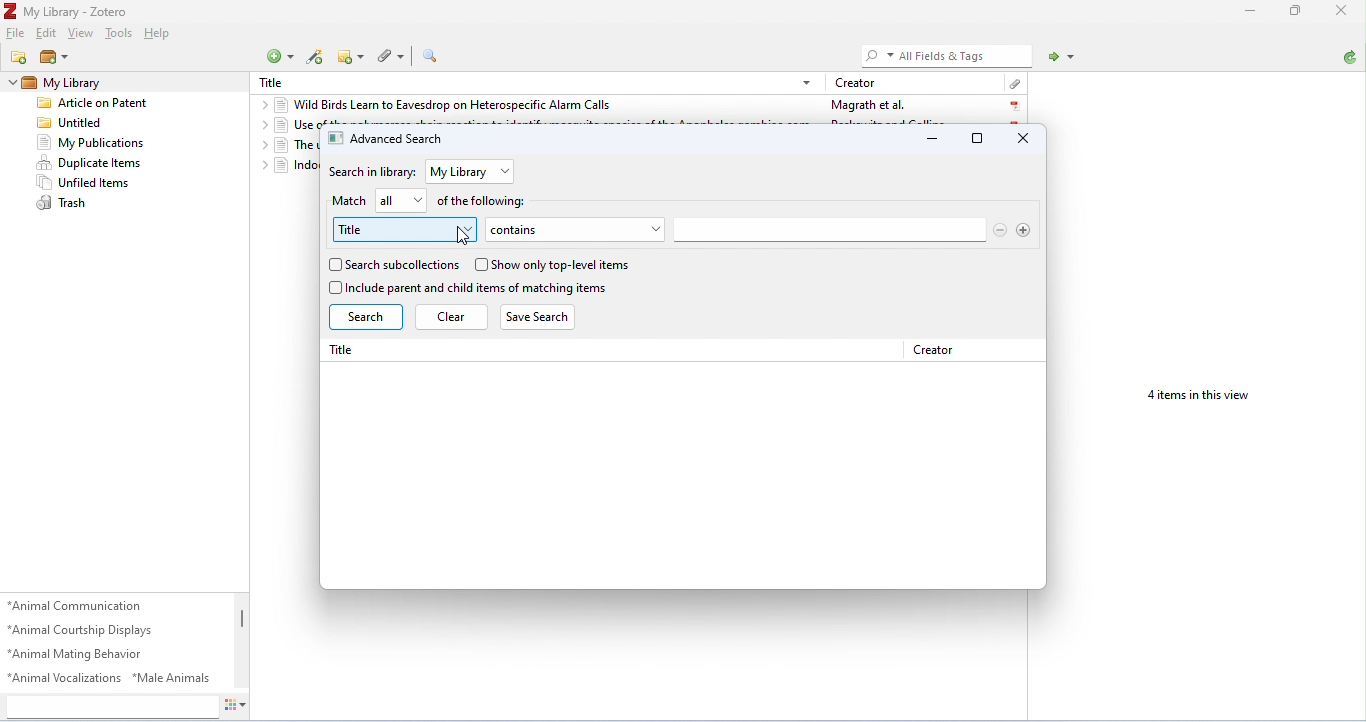  I want to click on drop-down, so click(260, 145).